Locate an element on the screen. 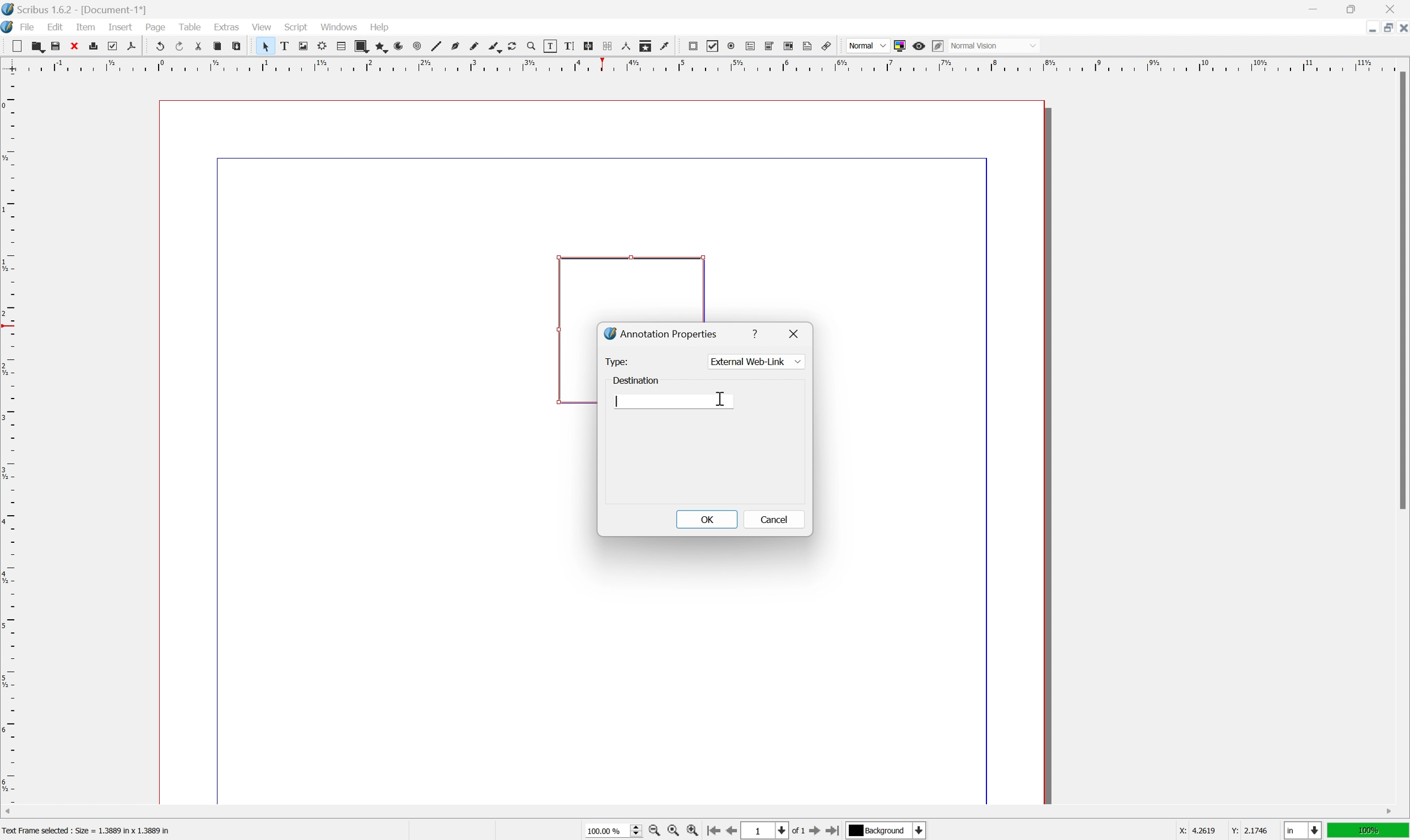 The image size is (1410, 840). close is located at coordinates (74, 46).